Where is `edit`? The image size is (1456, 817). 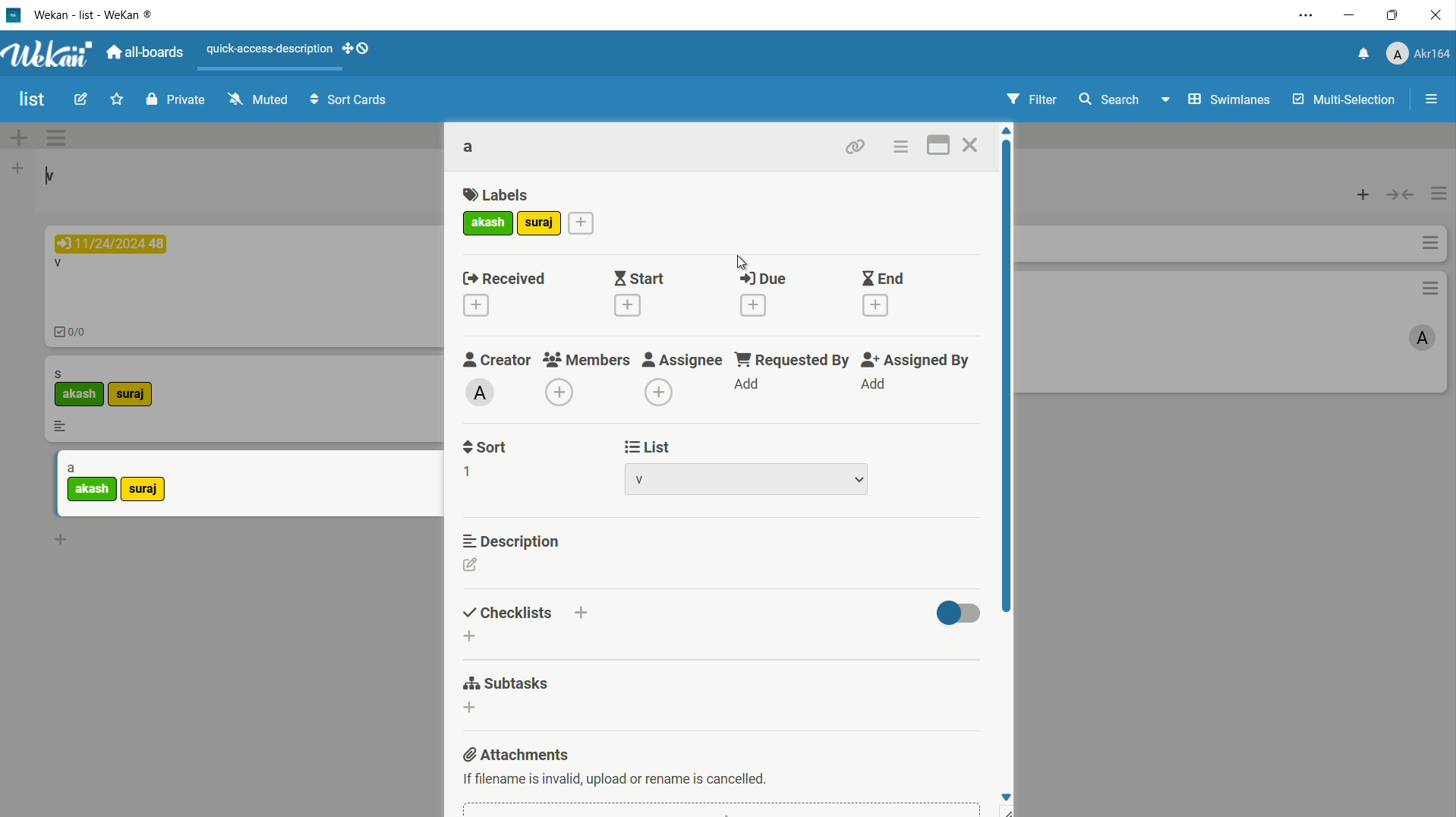 edit is located at coordinates (78, 99).